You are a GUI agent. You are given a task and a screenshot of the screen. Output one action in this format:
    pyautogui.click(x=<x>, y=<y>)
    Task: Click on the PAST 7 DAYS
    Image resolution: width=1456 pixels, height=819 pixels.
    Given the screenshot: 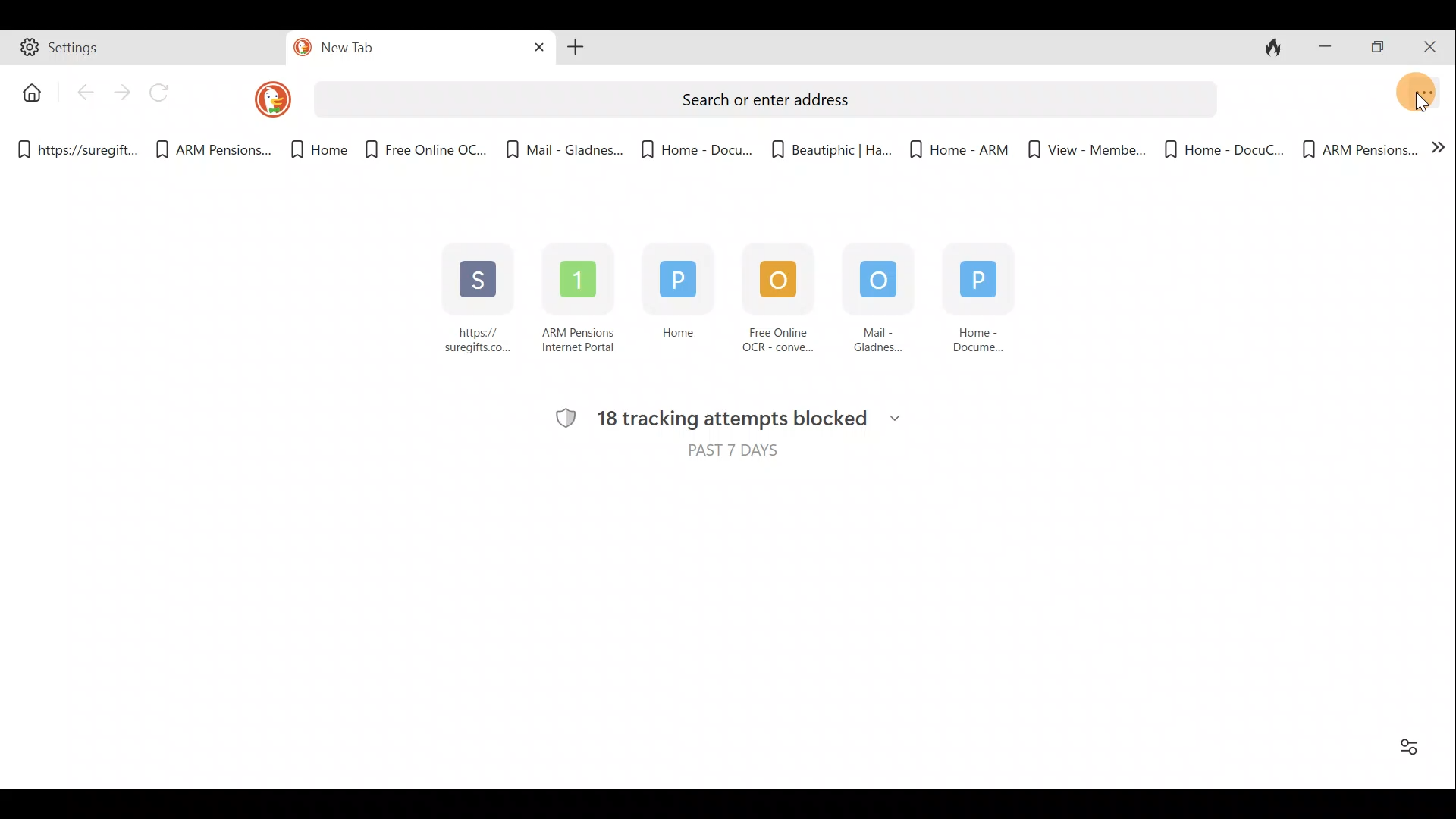 What is the action you would take?
    pyautogui.click(x=726, y=457)
    